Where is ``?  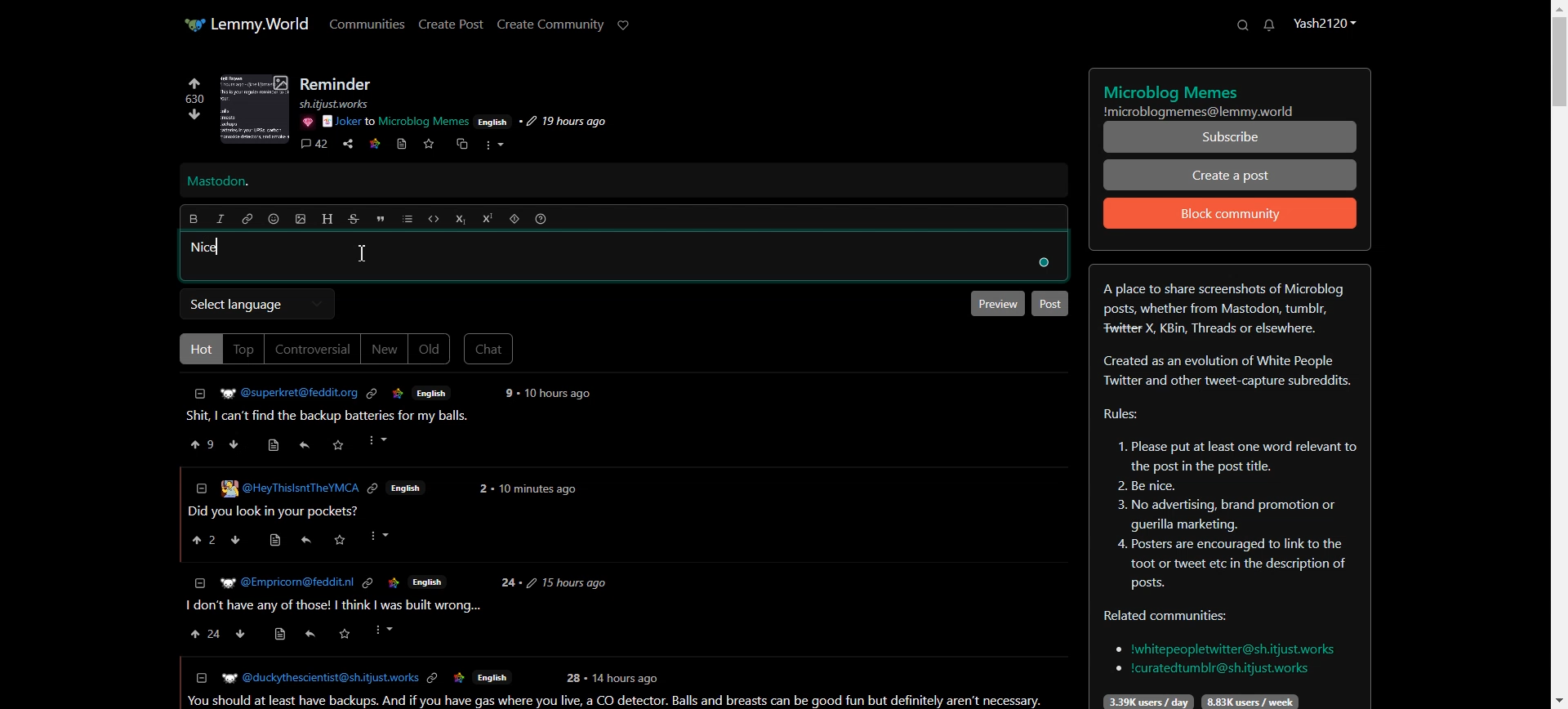  is located at coordinates (383, 536).